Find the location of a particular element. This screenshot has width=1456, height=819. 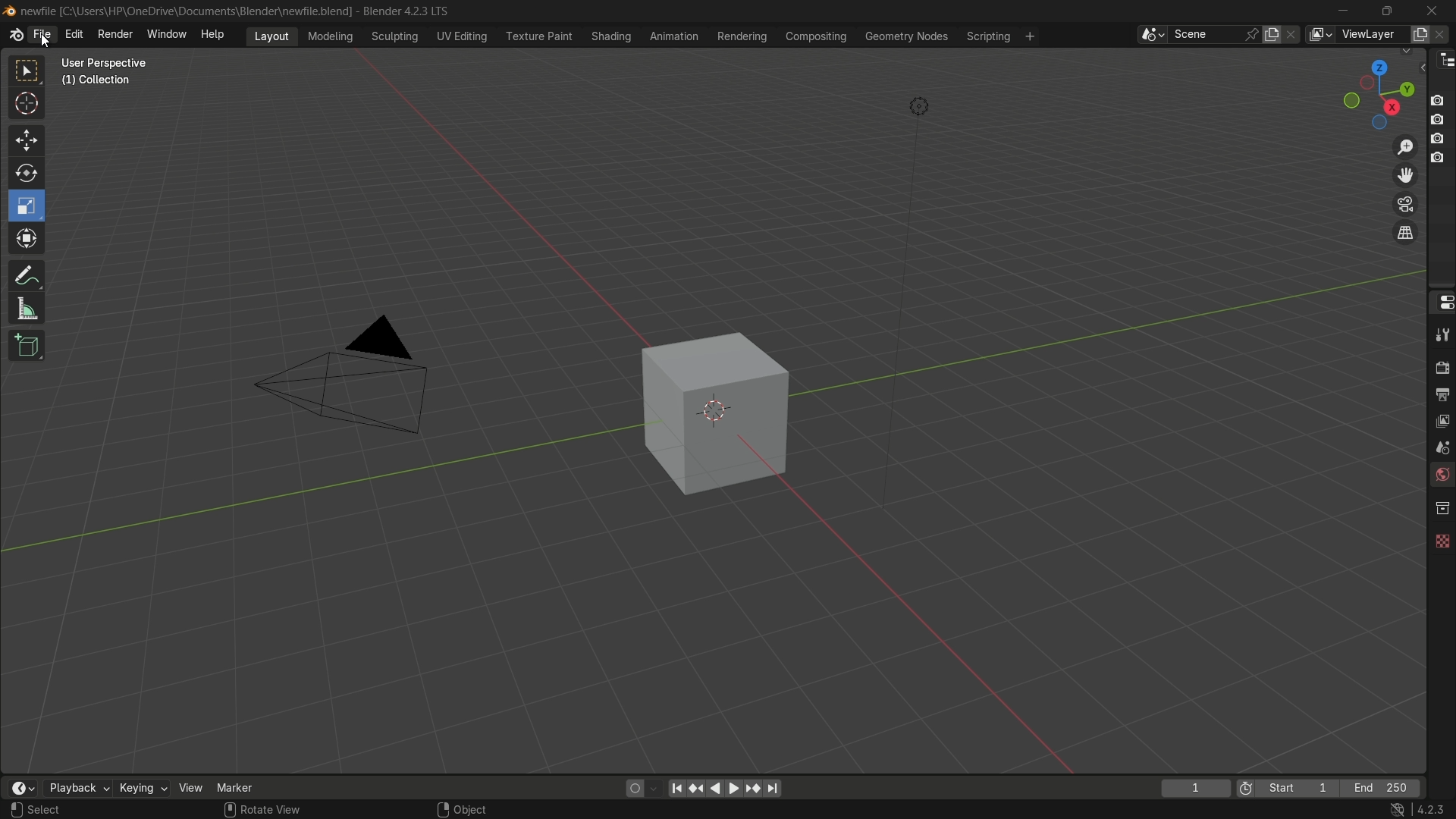

shading menu is located at coordinates (609, 36).